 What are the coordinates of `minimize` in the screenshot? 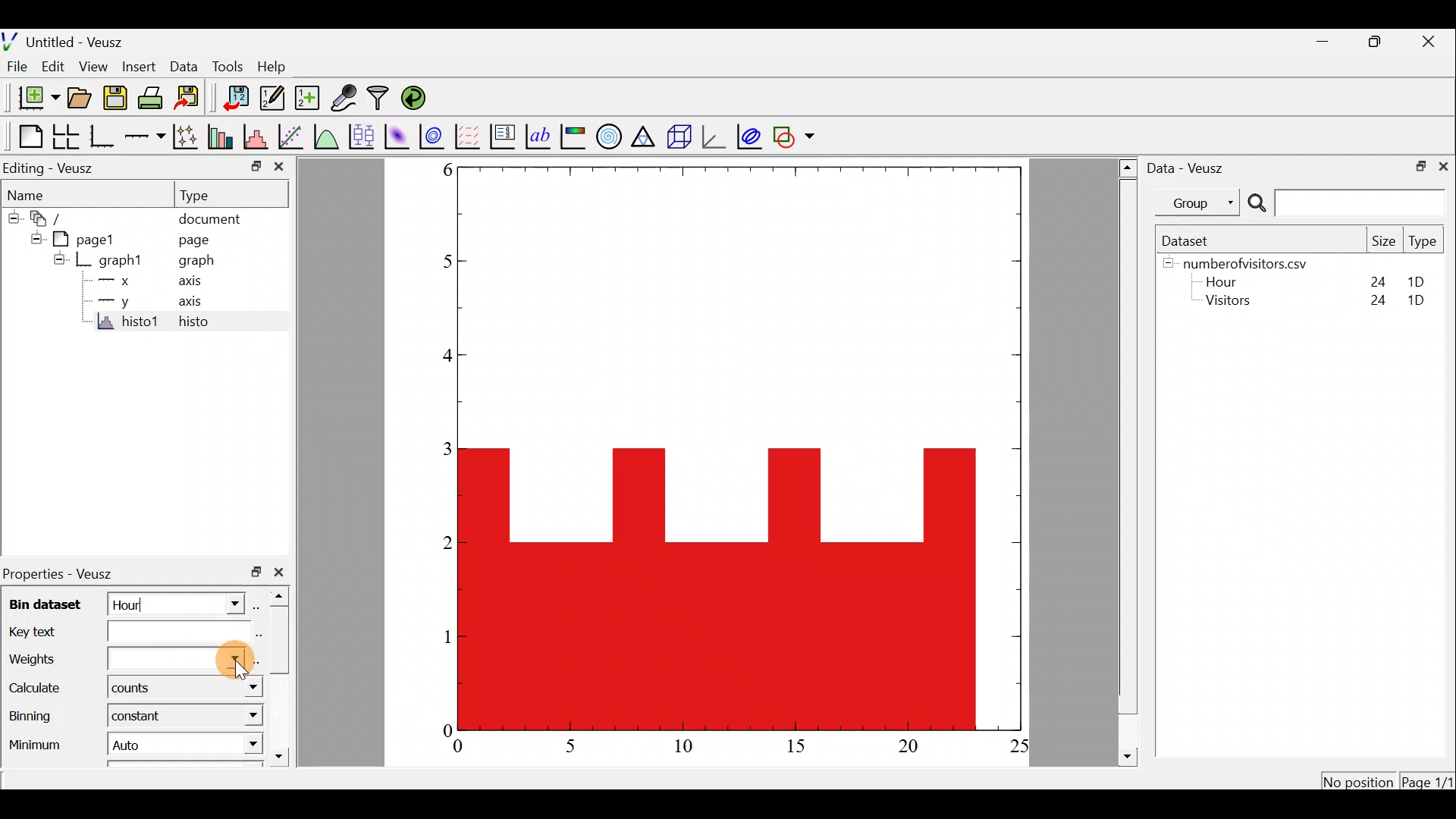 It's located at (1323, 43).